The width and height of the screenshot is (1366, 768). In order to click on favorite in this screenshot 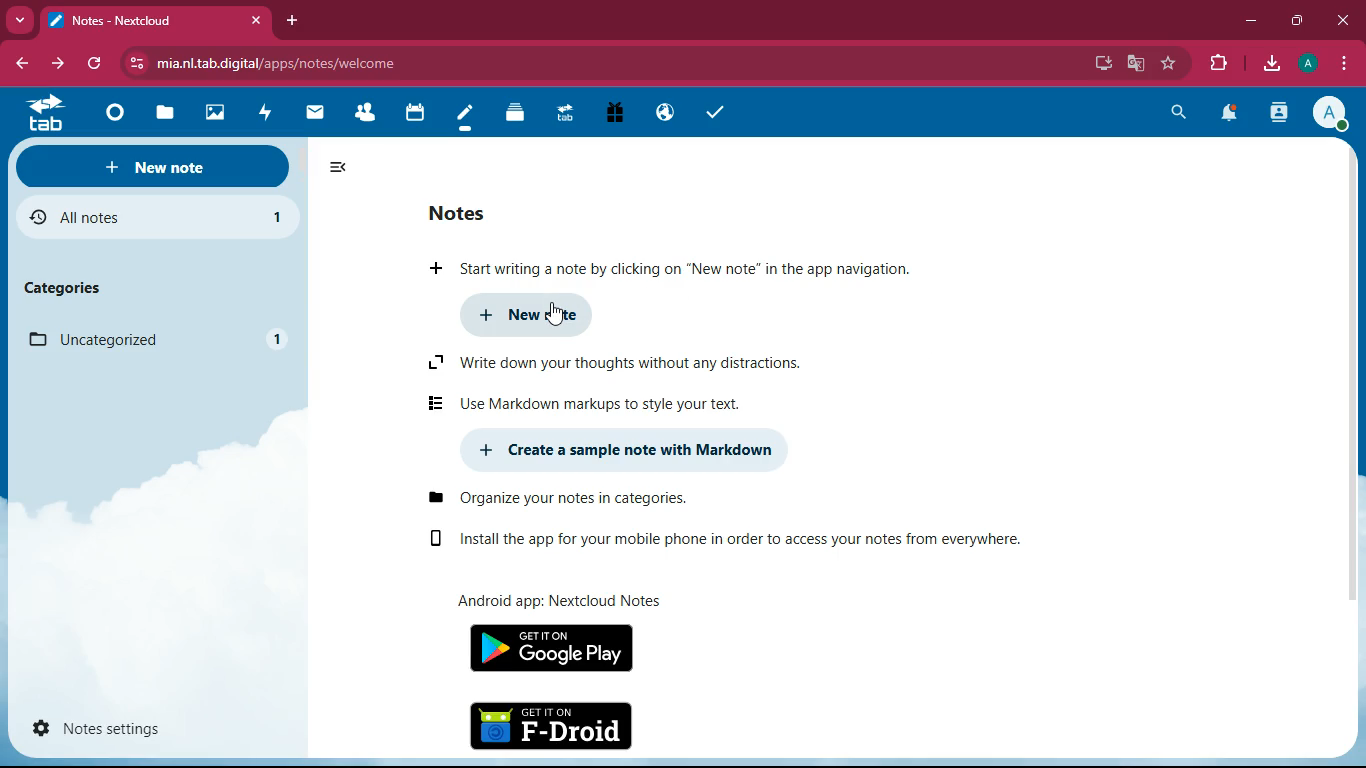, I will do `click(1168, 67)`.